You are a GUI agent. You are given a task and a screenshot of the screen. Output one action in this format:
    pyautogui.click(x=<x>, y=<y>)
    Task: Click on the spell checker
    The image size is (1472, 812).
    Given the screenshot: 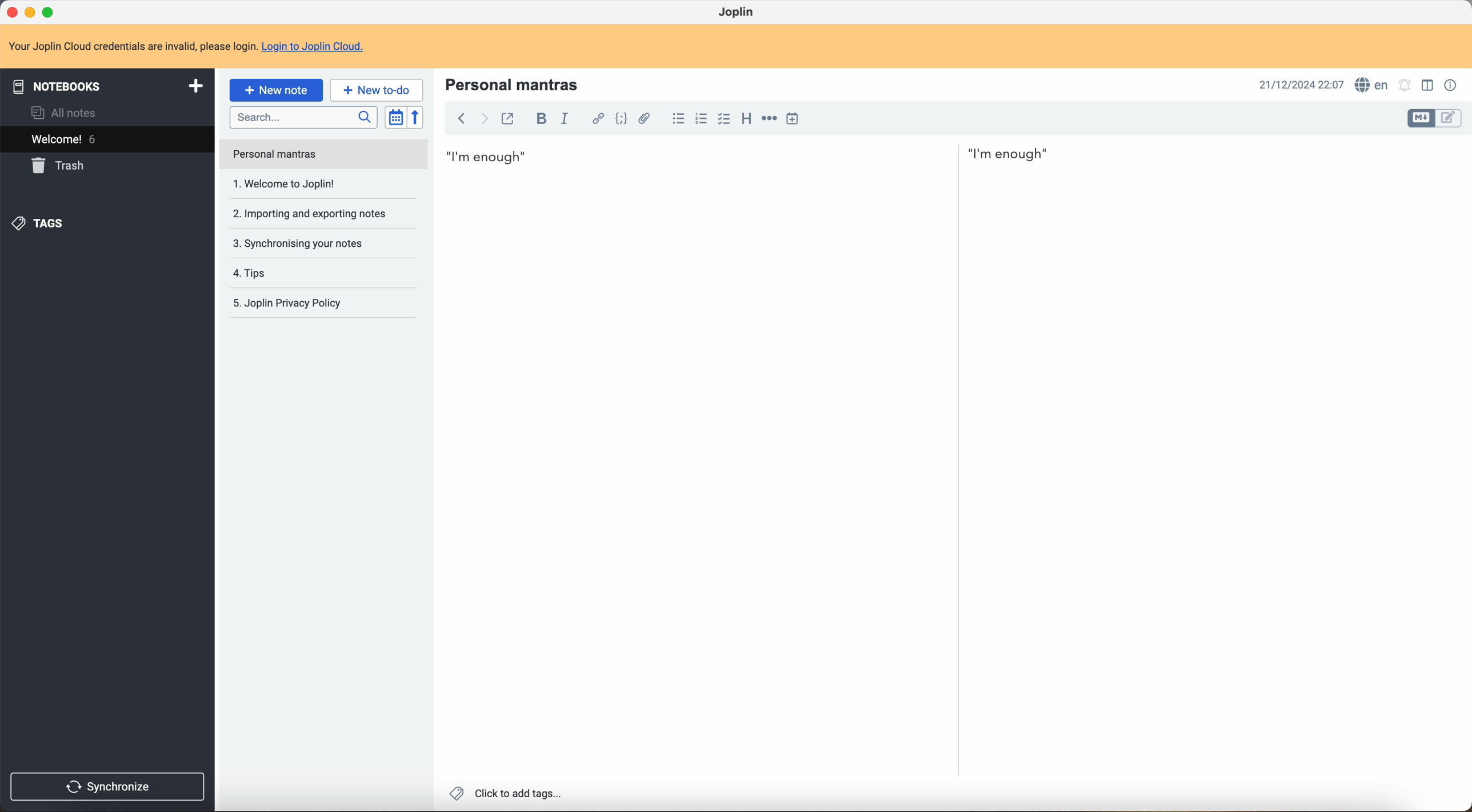 What is the action you would take?
    pyautogui.click(x=1373, y=84)
    